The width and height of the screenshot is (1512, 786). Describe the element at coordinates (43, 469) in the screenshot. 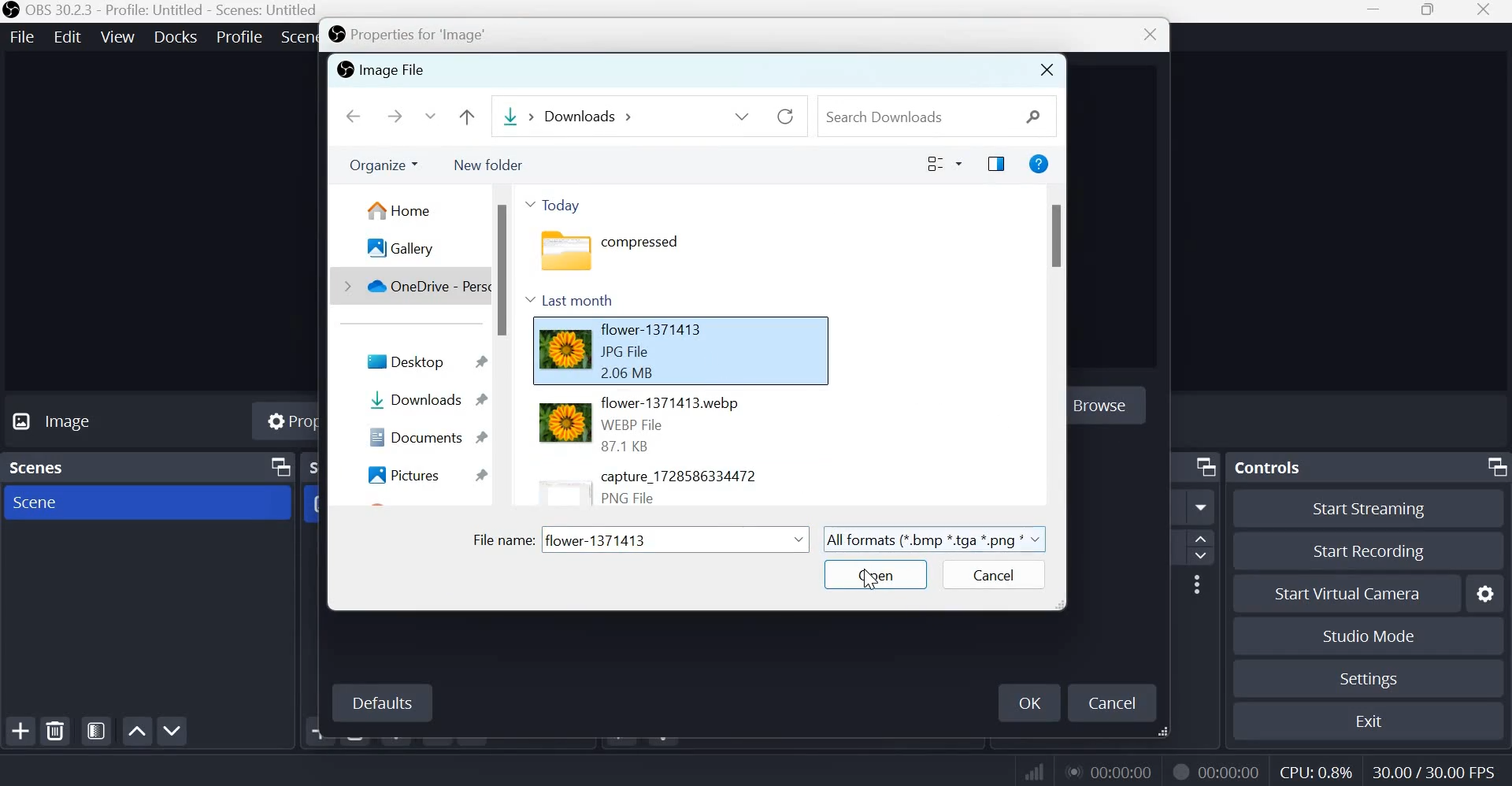

I see `Scenes` at that location.